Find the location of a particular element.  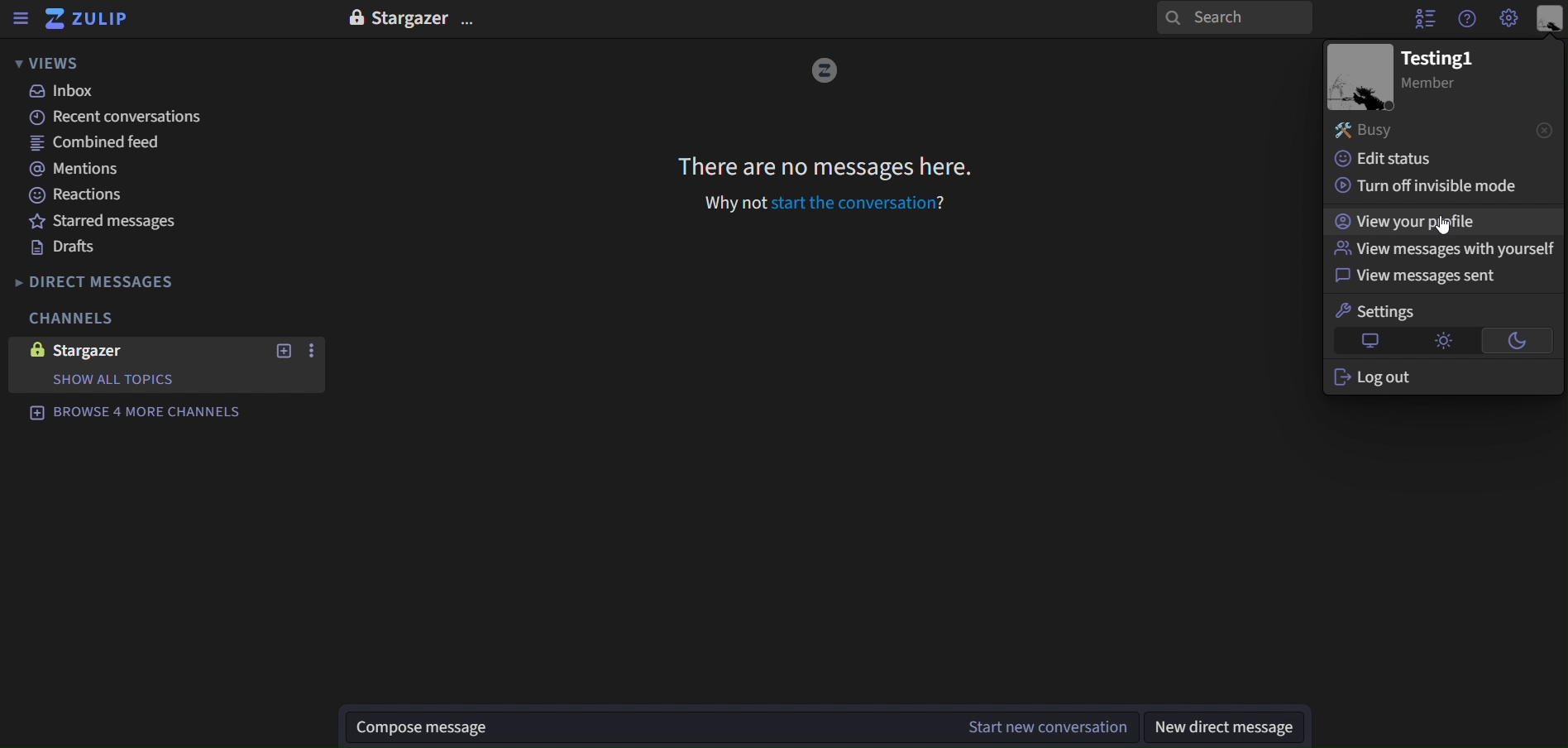

image is located at coordinates (1358, 78).